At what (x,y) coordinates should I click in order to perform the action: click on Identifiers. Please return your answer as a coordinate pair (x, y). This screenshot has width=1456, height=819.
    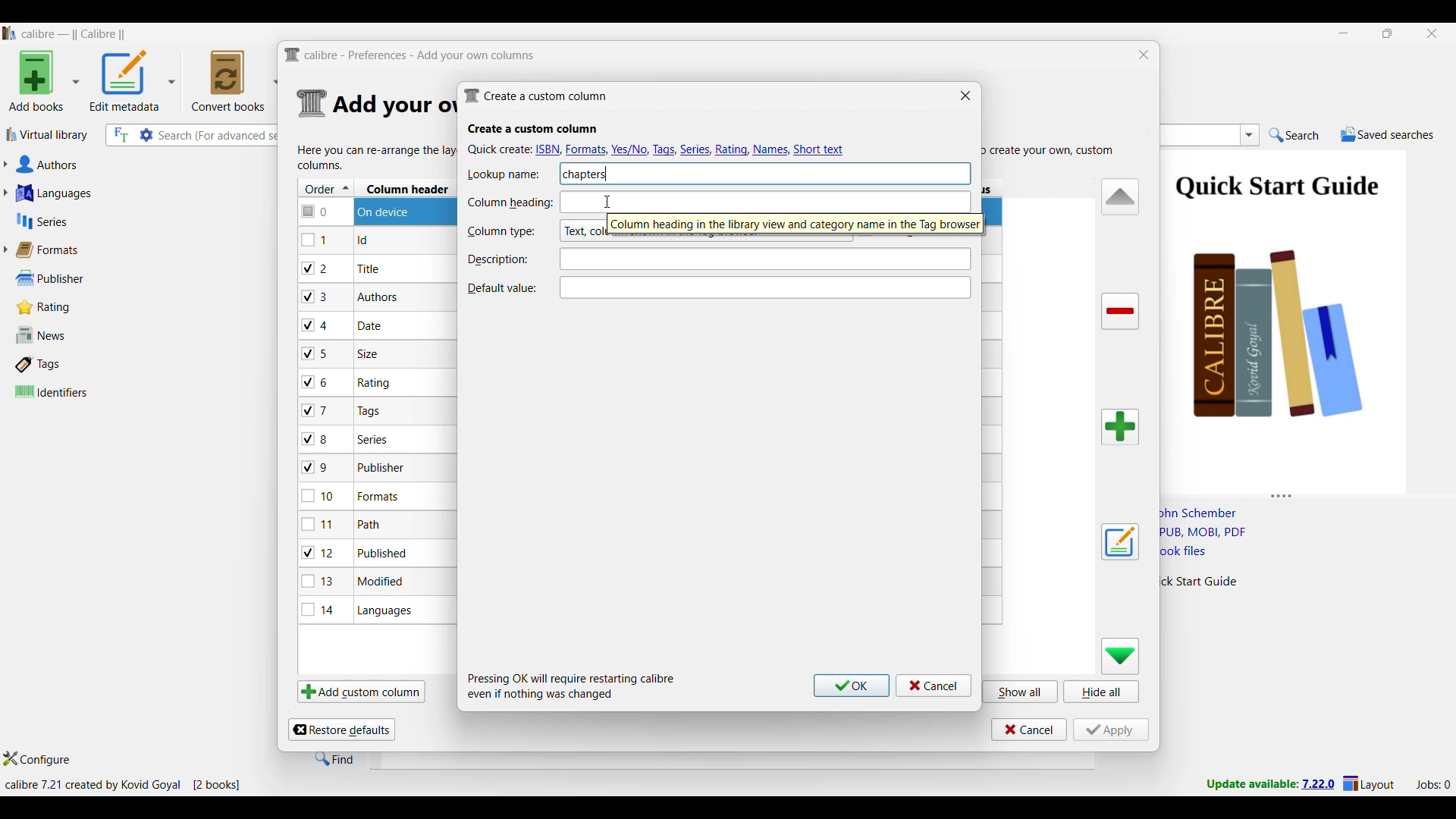
    Looking at the image, I should click on (74, 391).